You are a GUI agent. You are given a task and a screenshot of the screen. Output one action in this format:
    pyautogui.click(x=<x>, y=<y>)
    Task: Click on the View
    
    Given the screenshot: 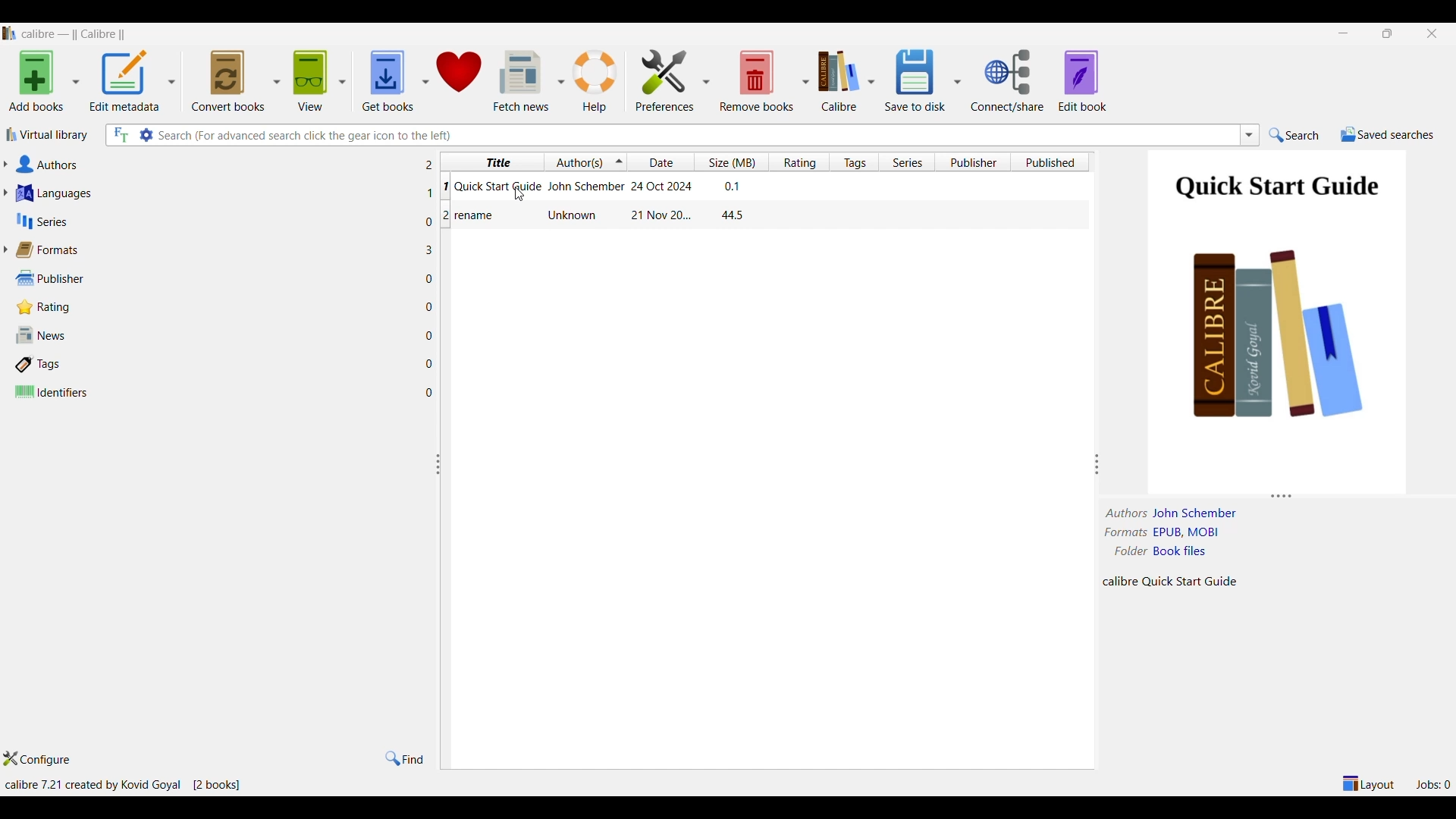 What is the action you would take?
    pyautogui.click(x=310, y=81)
    